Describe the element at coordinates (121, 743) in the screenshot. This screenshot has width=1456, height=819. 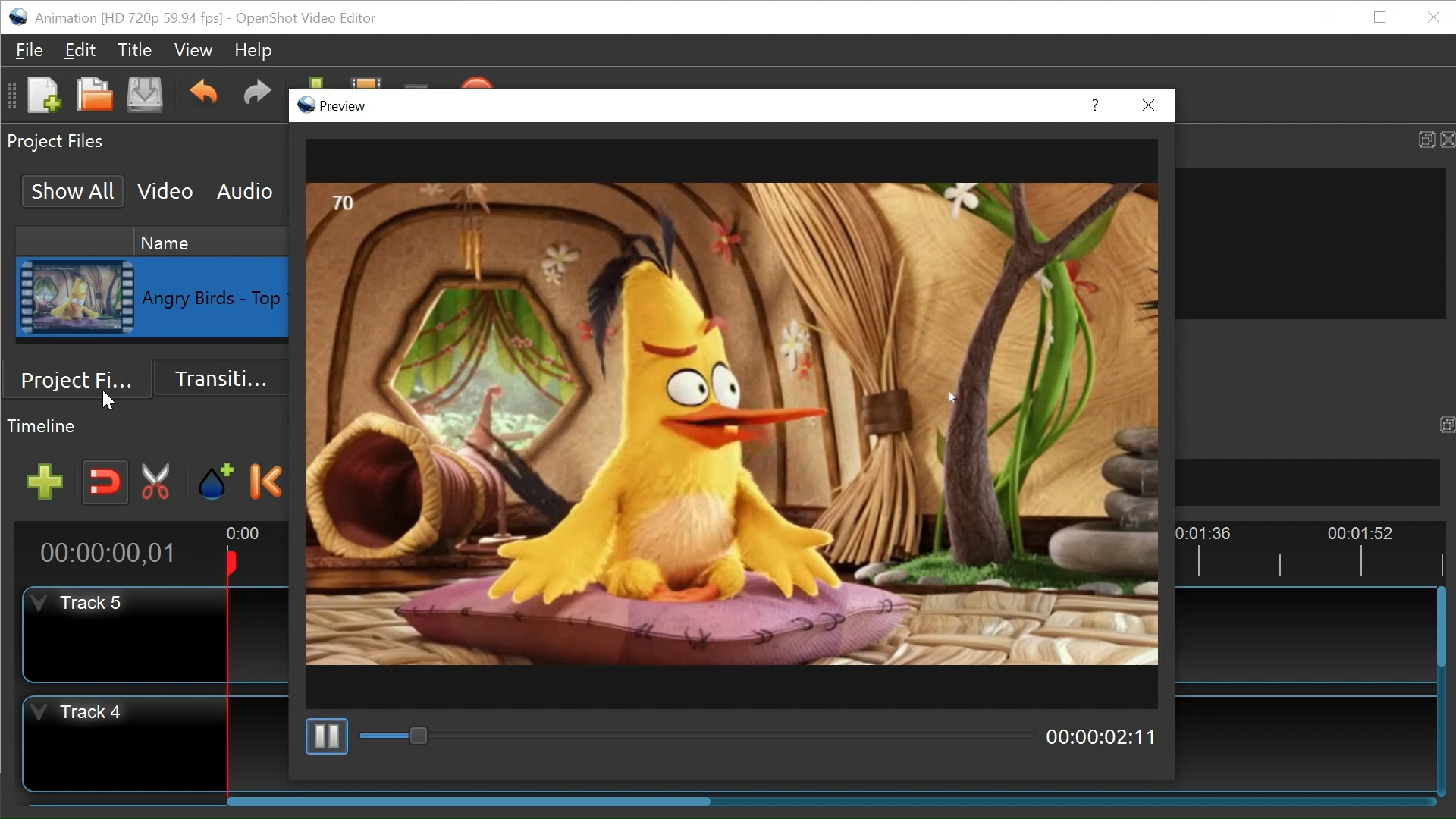
I see `Track Header` at that location.